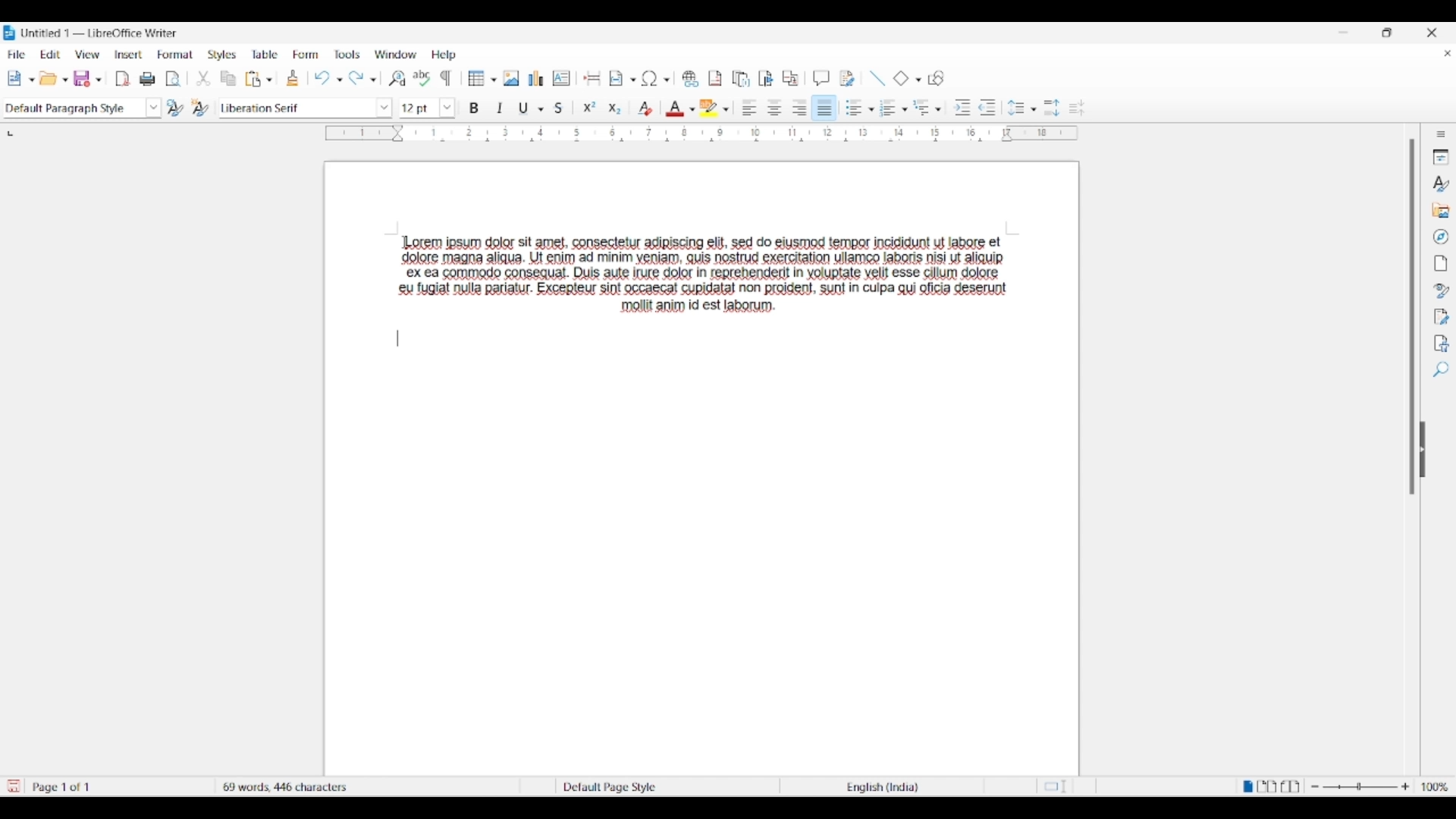  Describe the element at coordinates (821, 78) in the screenshot. I see `Insert comment` at that location.